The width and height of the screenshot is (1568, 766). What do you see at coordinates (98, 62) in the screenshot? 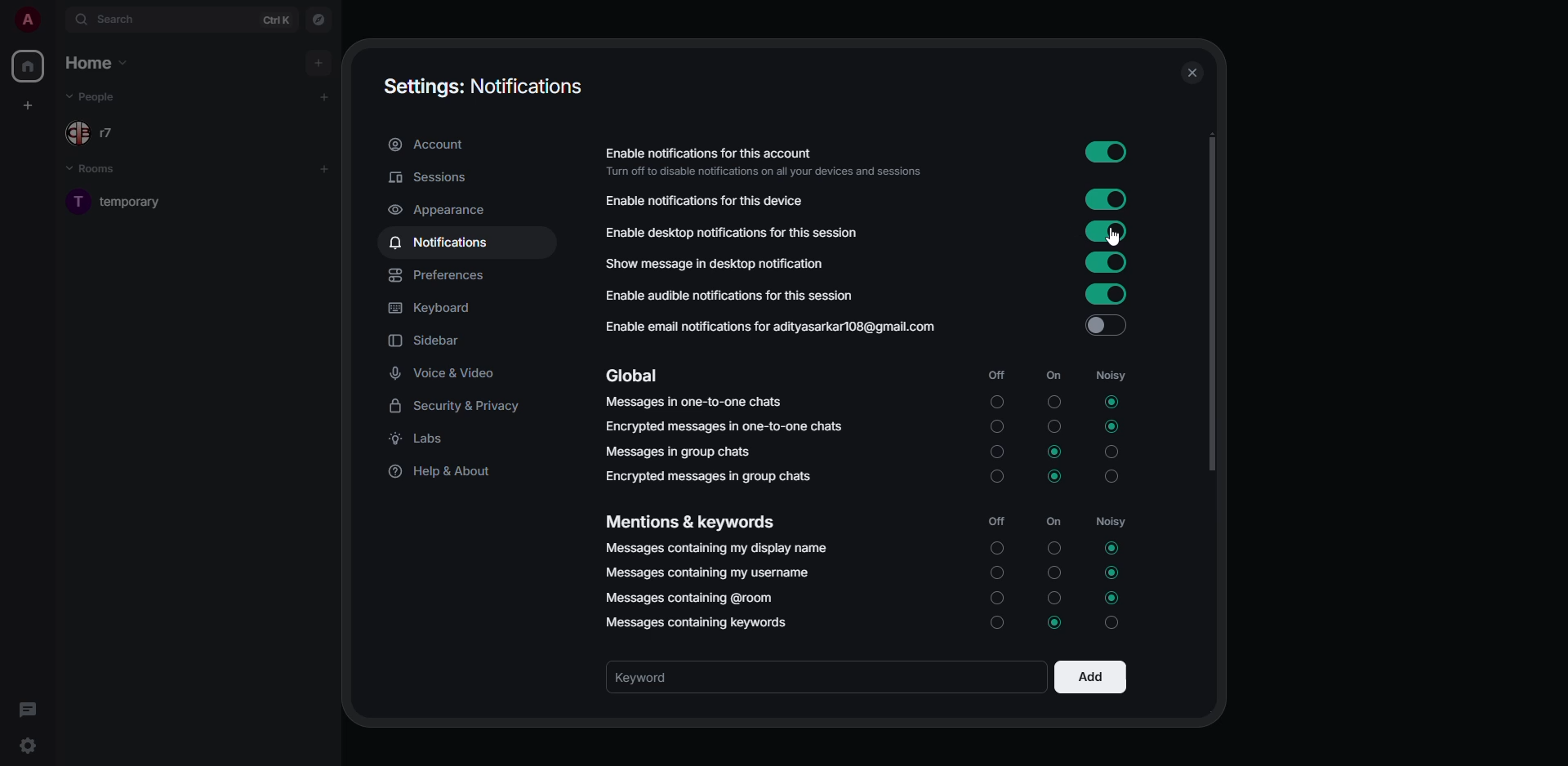
I see `home` at bounding box center [98, 62].